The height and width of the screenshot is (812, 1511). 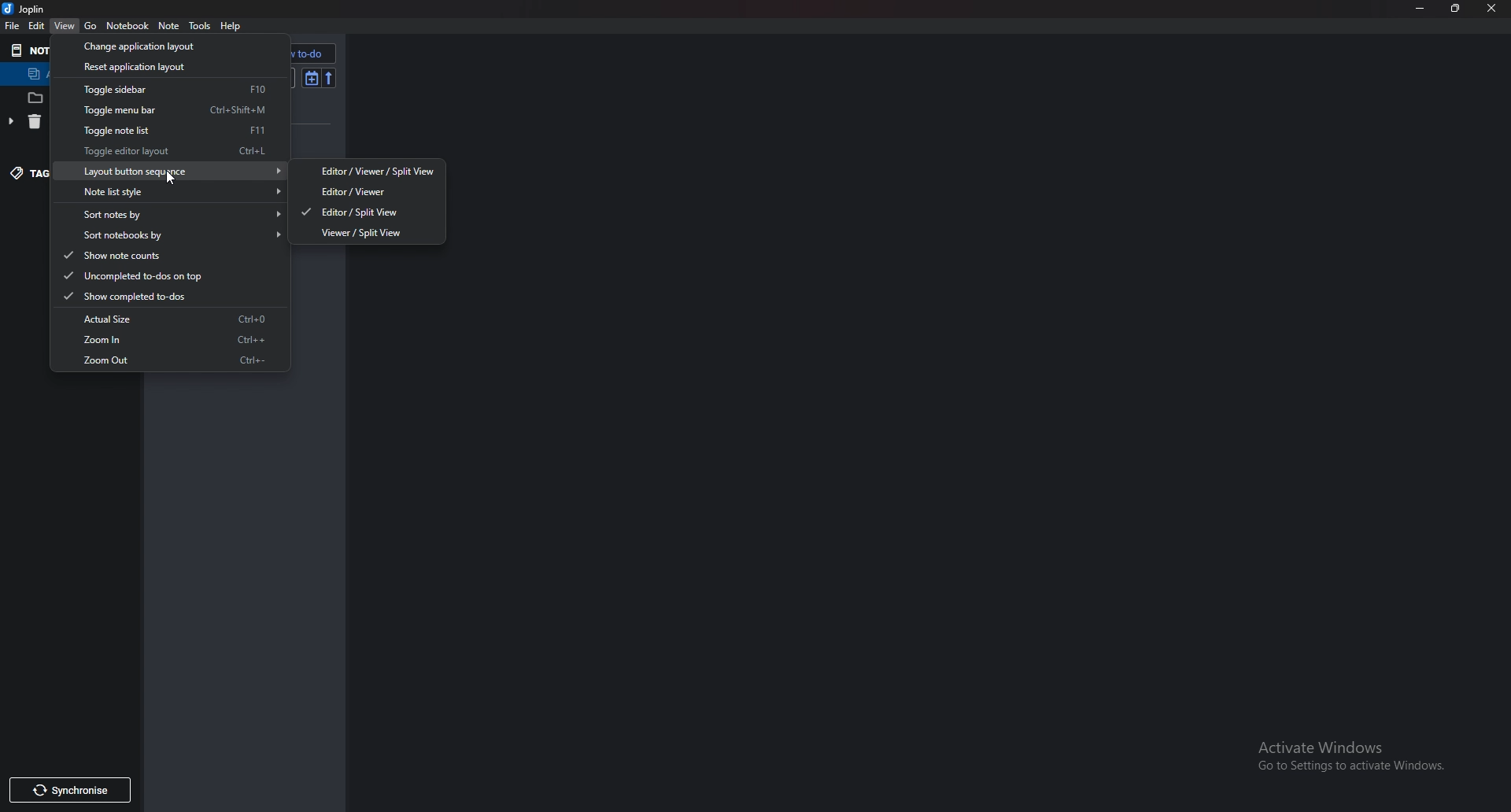 What do you see at coordinates (177, 340) in the screenshot?
I see `Zoom In Cire ++` at bounding box center [177, 340].